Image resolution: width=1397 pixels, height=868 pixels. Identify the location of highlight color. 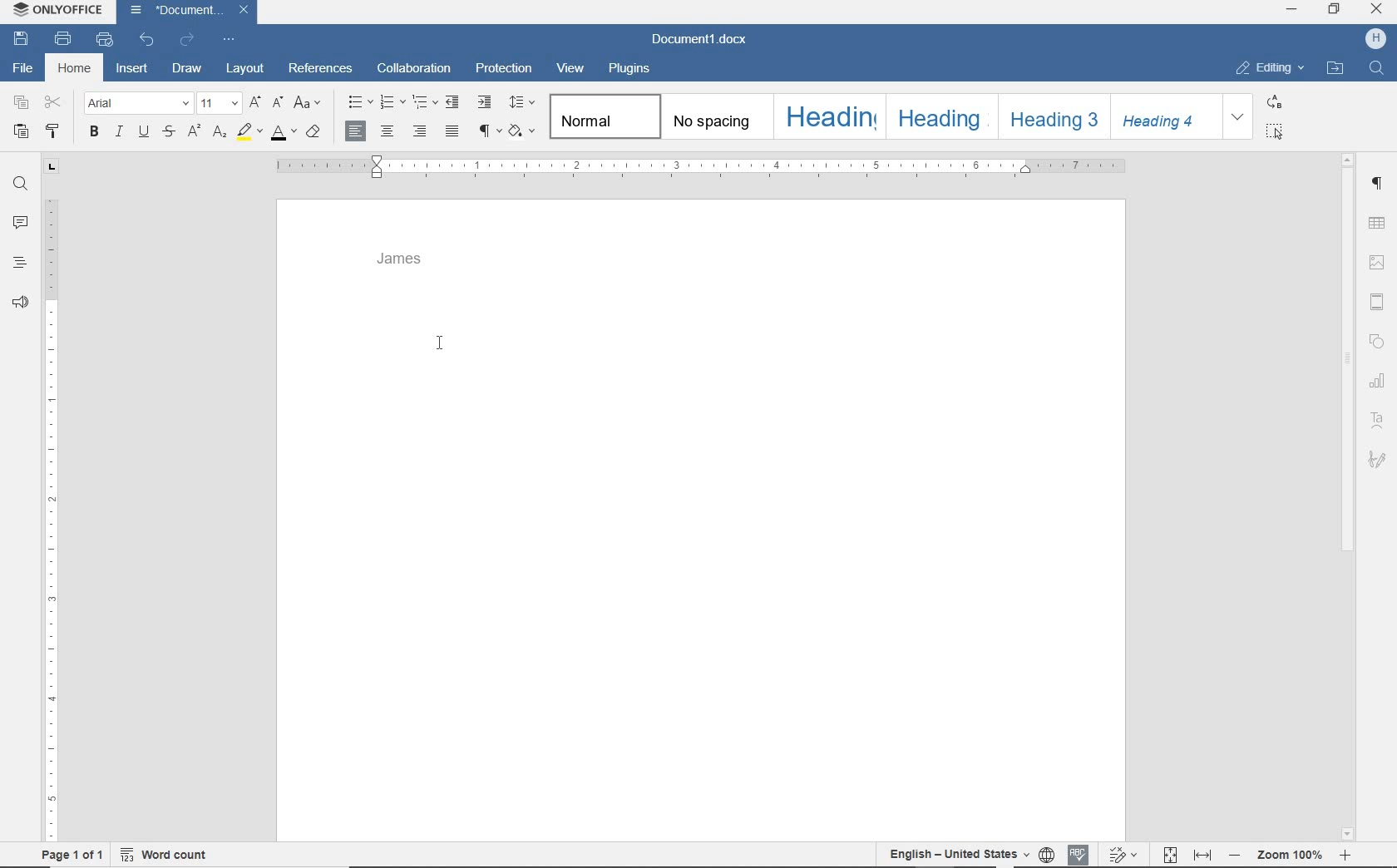
(249, 133).